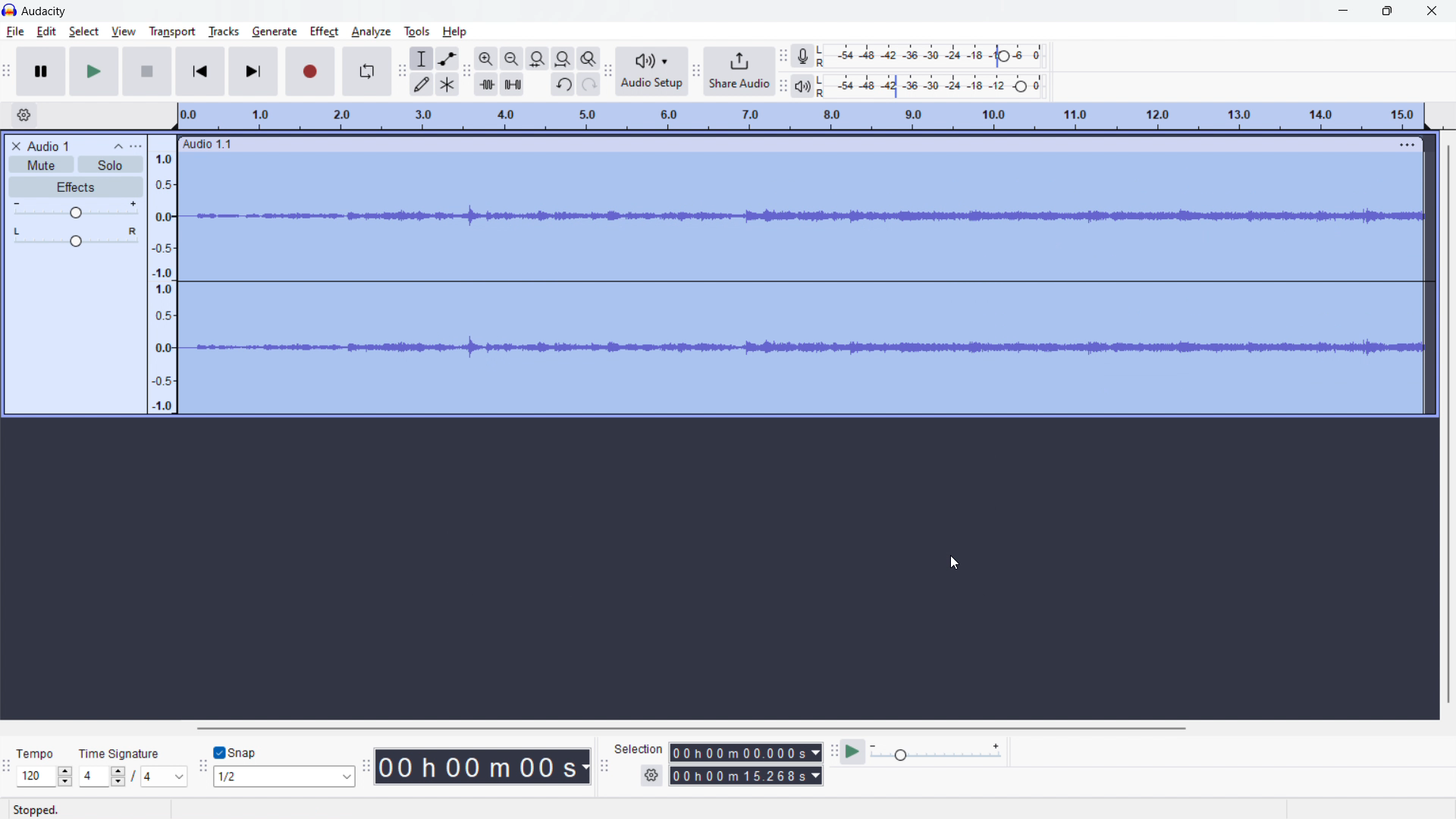  I want to click on audio setup, so click(651, 71).